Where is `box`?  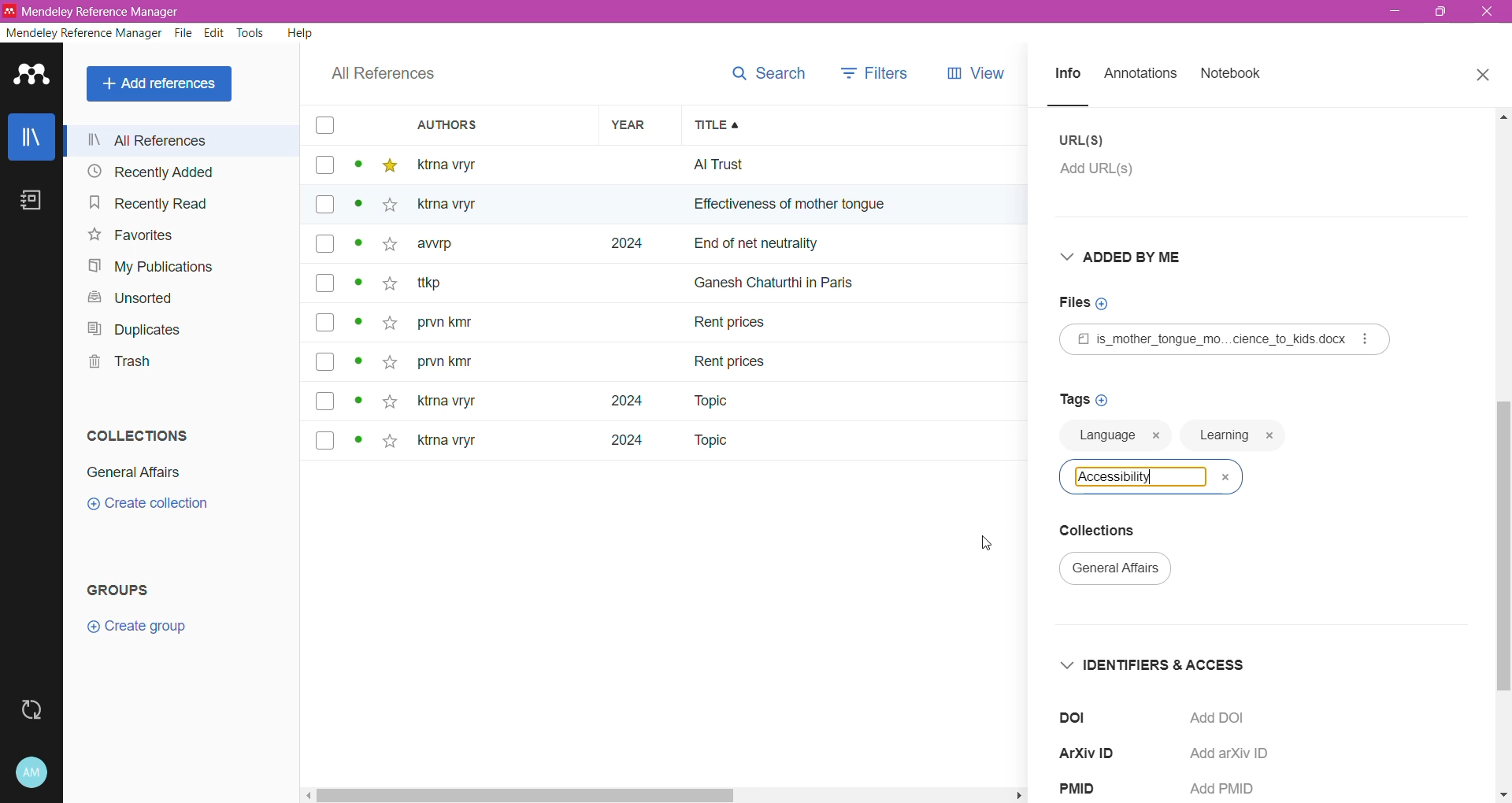
box is located at coordinates (325, 439).